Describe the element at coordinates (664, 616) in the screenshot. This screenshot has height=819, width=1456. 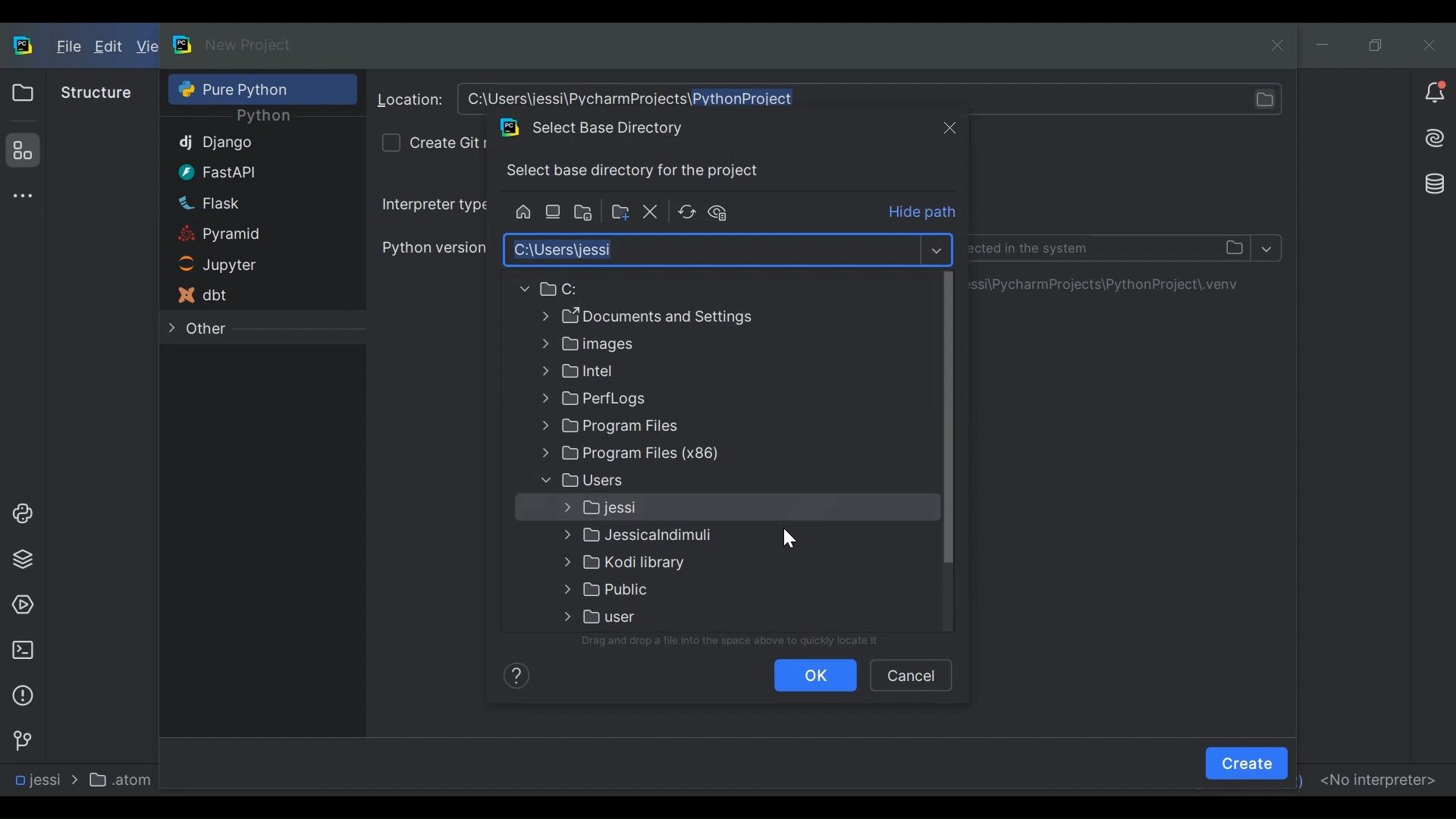
I see `submenu Folder Path` at that location.